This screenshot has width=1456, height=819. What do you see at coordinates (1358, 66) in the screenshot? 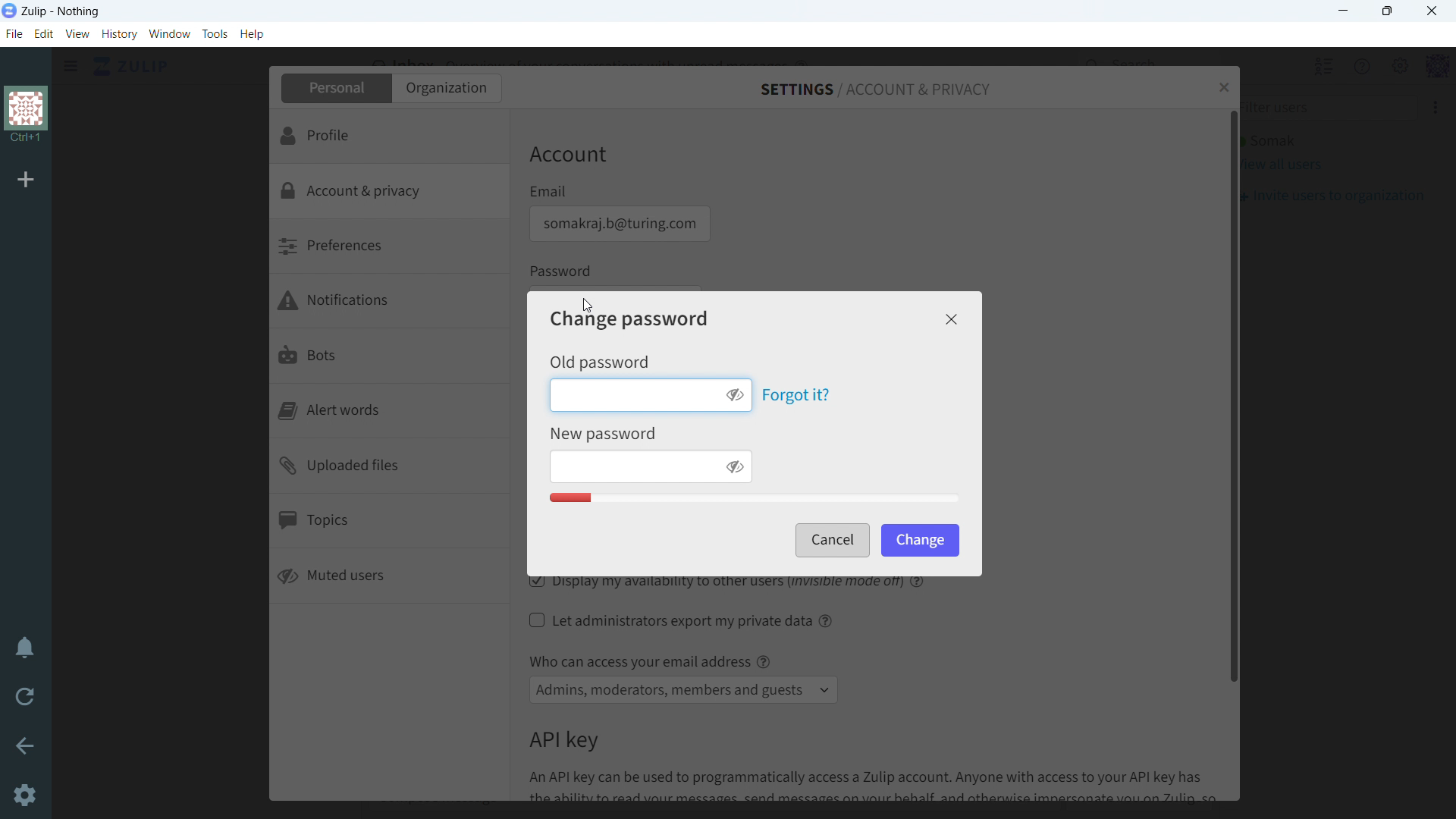
I see `help menu` at bounding box center [1358, 66].